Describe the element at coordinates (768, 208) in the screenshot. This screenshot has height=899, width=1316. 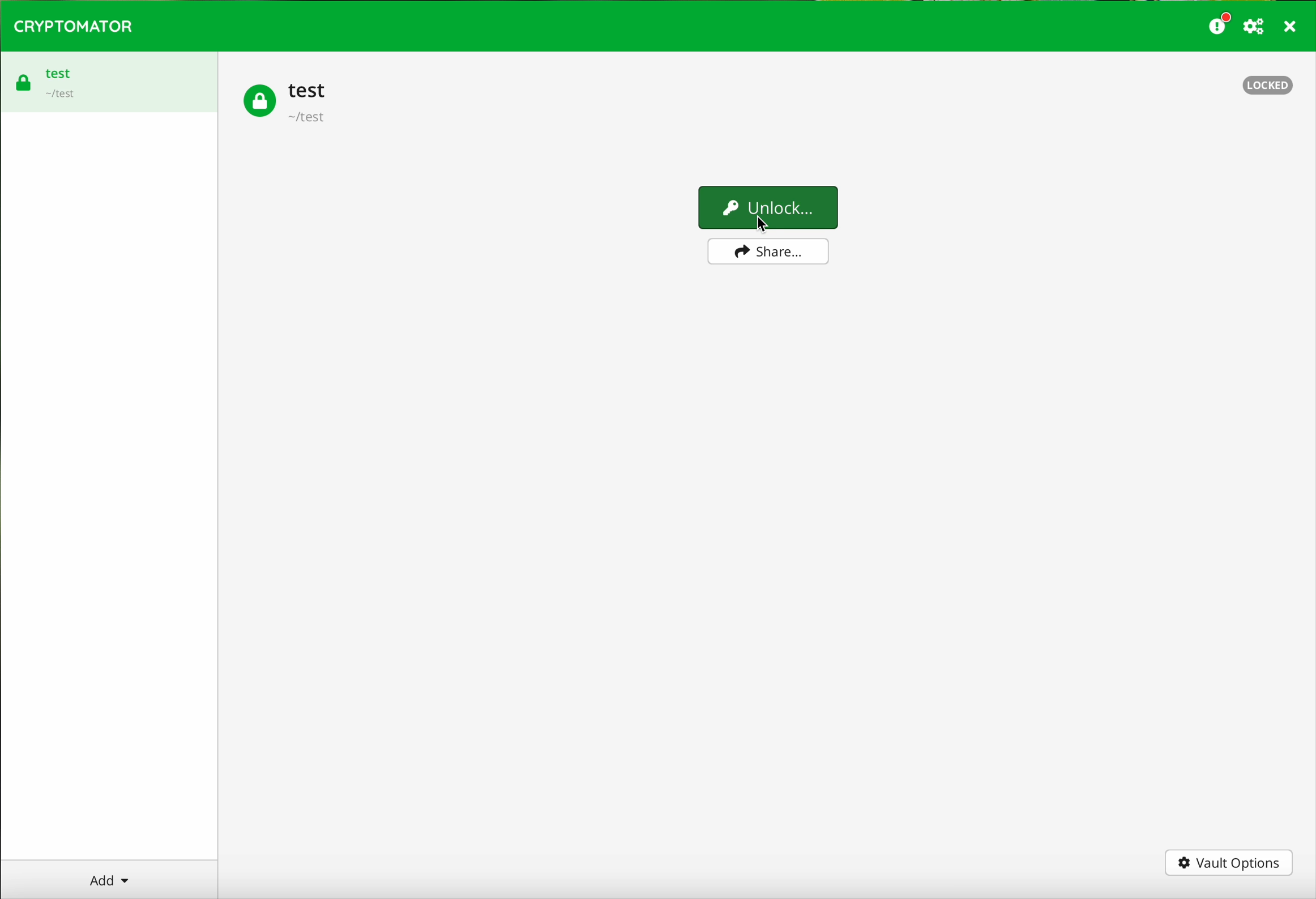
I see `Unlock` at that location.